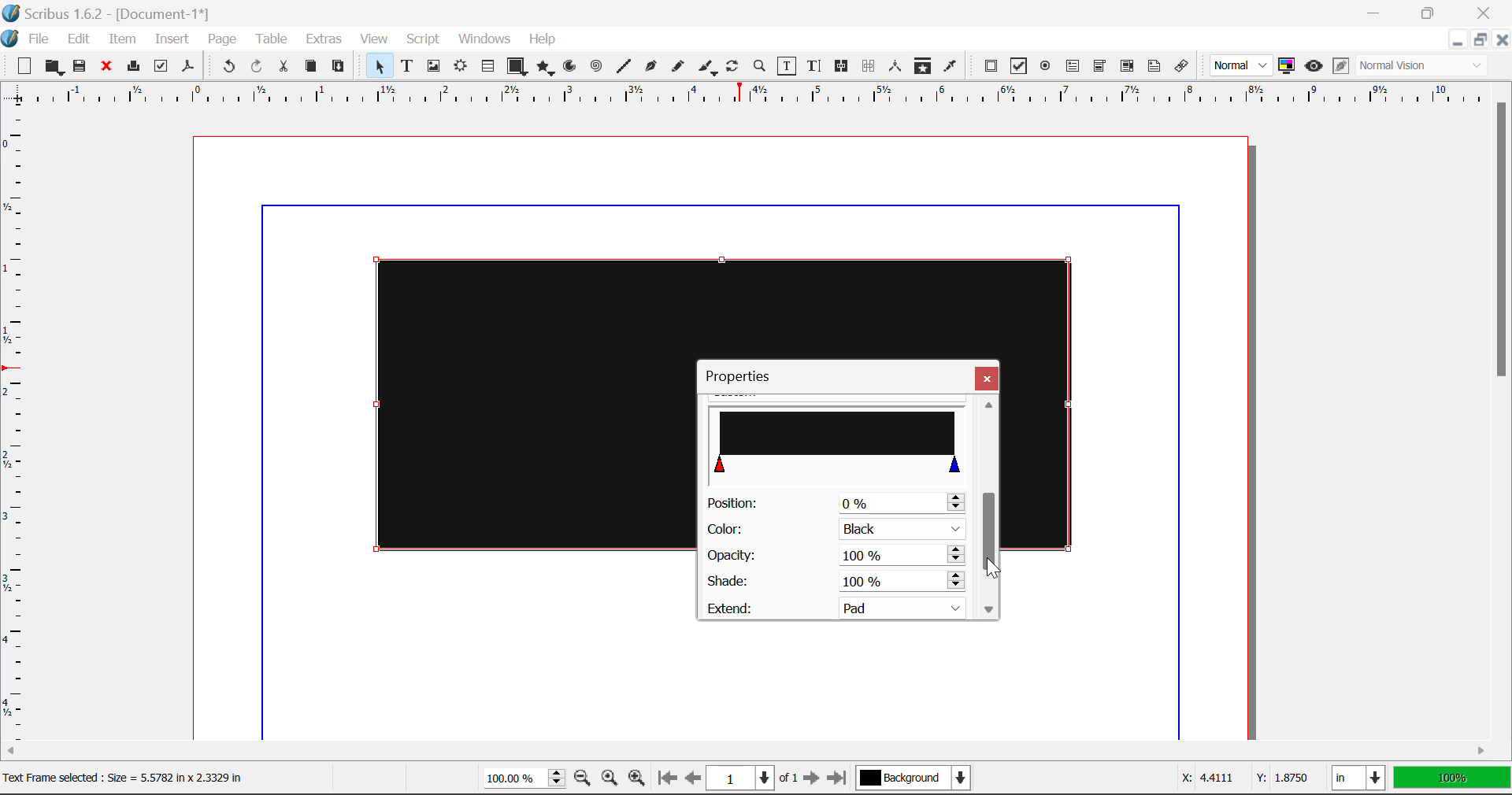 This screenshot has width=1512, height=795. Describe the element at coordinates (833, 530) in the screenshot. I see `Color` at that location.